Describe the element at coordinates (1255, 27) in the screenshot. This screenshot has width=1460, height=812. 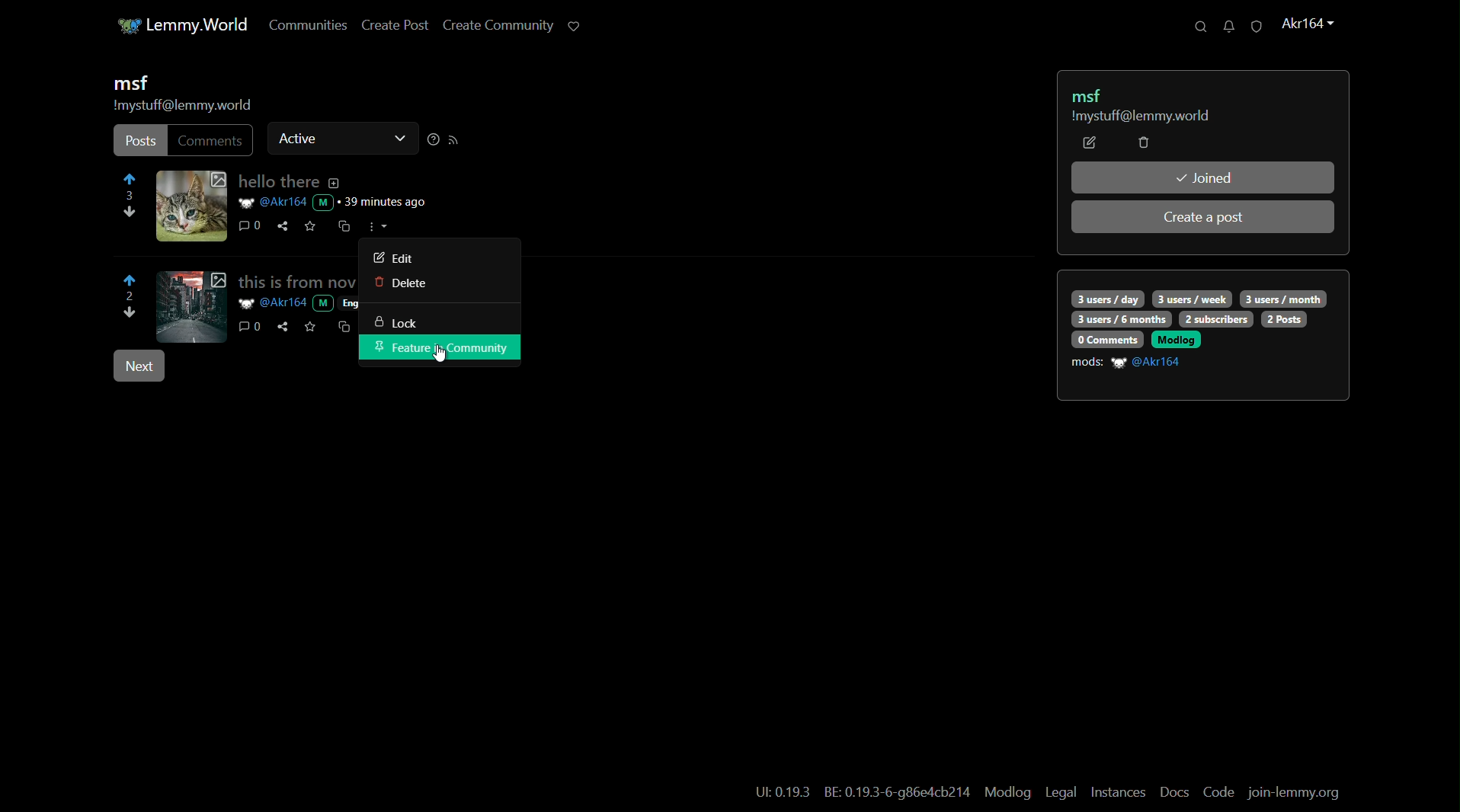
I see `unread reports` at that location.